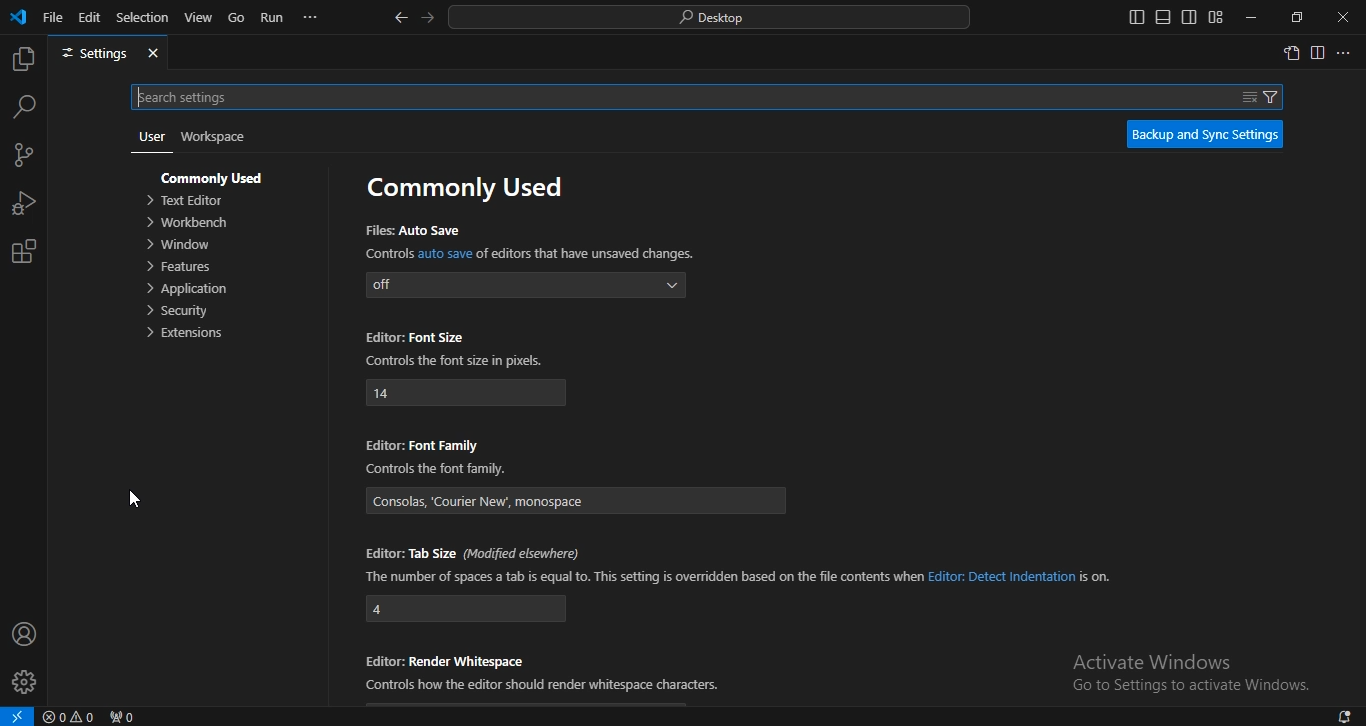 Image resolution: width=1366 pixels, height=726 pixels. Describe the element at coordinates (213, 139) in the screenshot. I see `workspace` at that location.